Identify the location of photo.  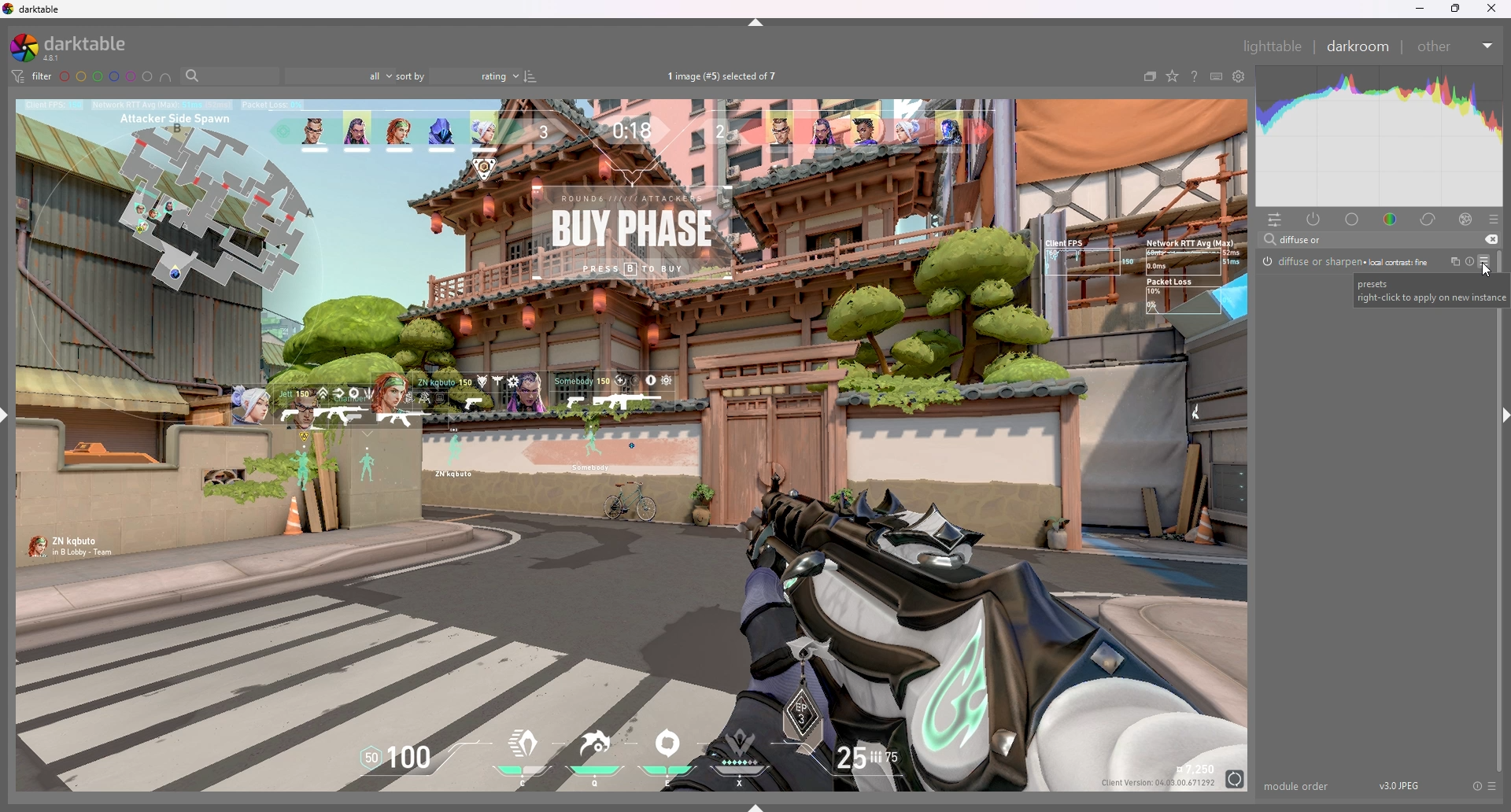
(629, 446).